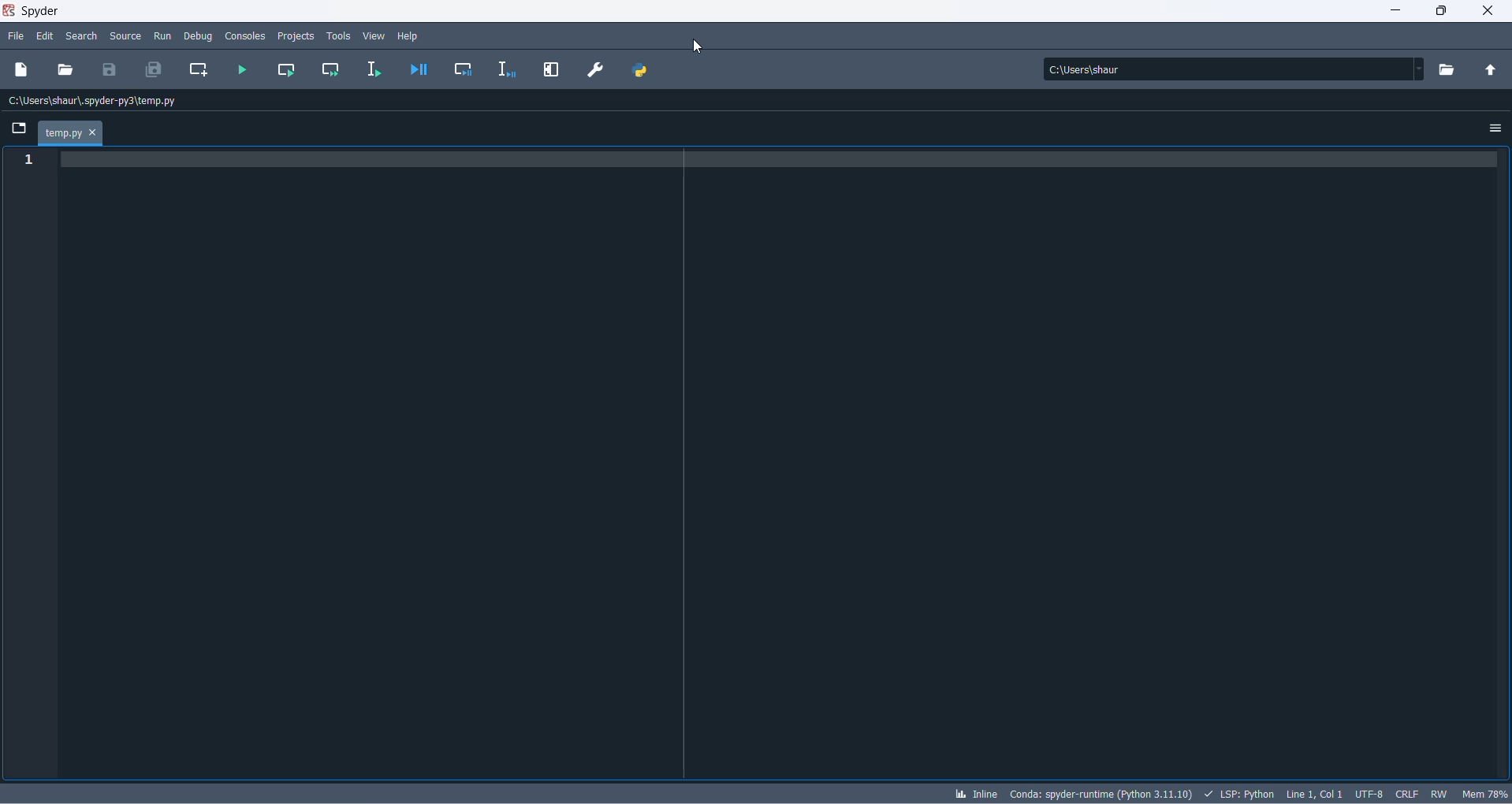  What do you see at coordinates (65, 69) in the screenshot?
I see `open` at bounding box center [65, 69].